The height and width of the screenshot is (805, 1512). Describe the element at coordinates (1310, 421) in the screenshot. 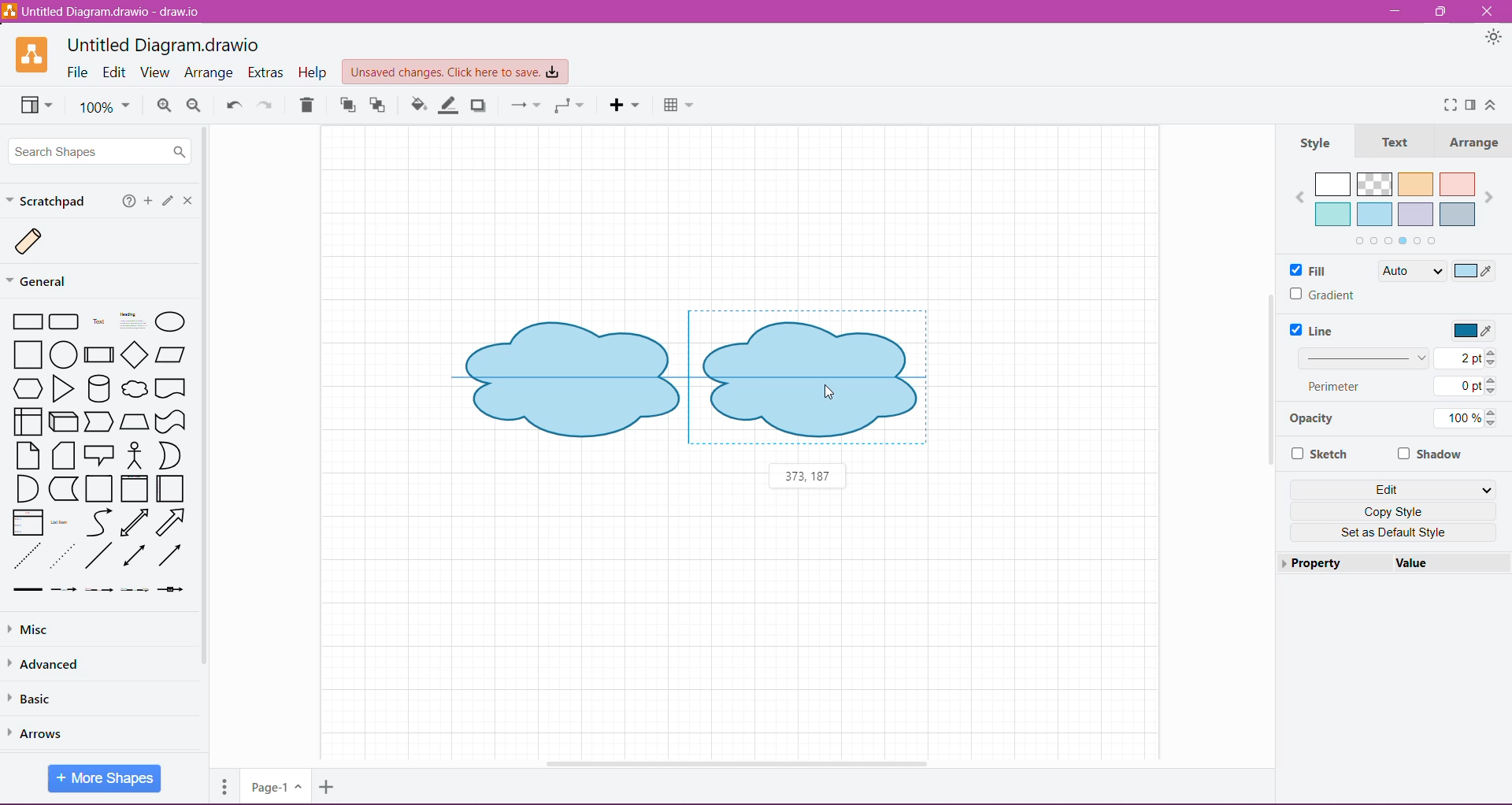

I see `Opacity` at that location.